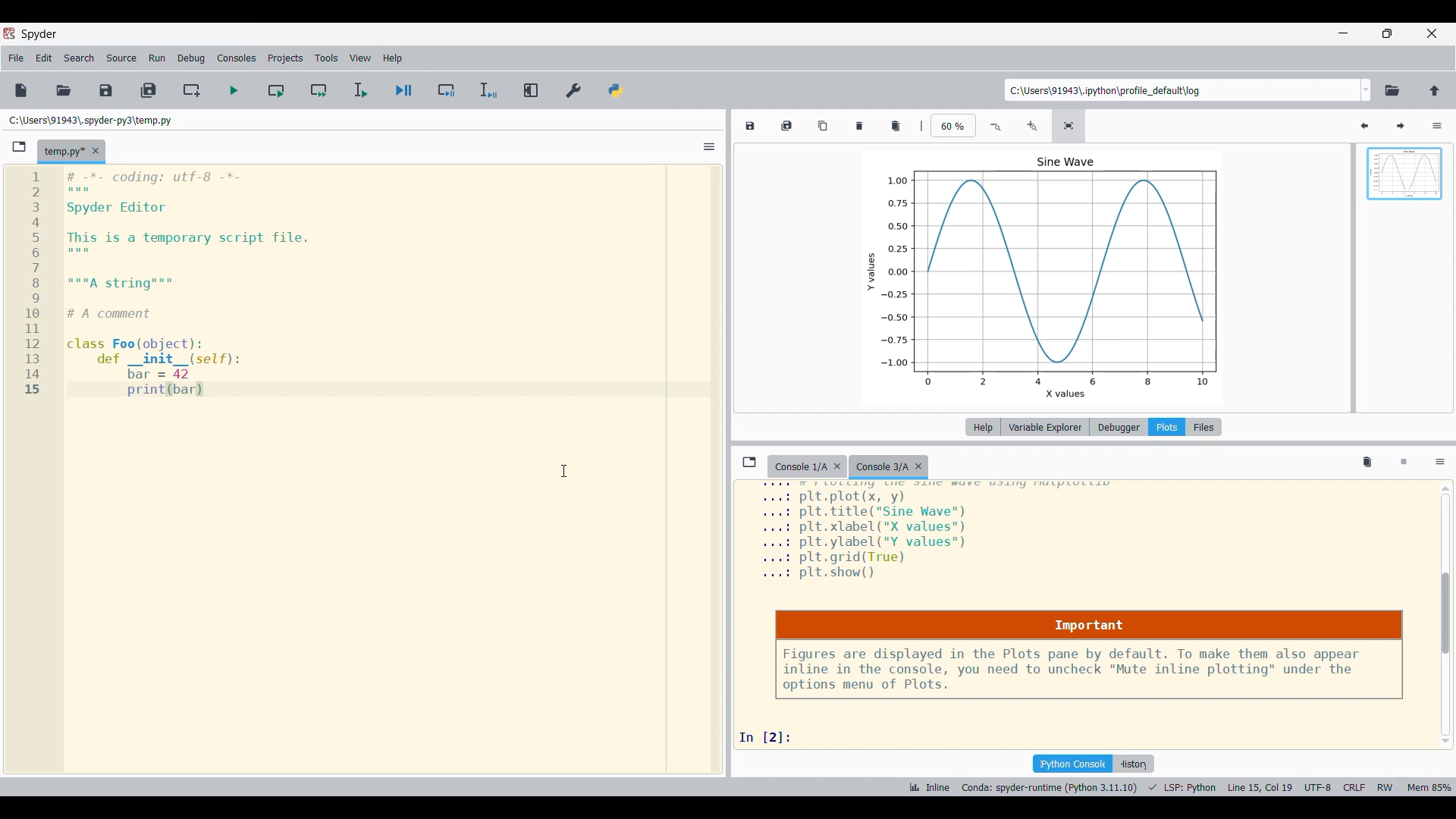 Image resolution: width=1456 pixels, height=819 pixels. Describe the element at coordinates (1345, 33) in the screenshot. I see `Minimize` at that location.